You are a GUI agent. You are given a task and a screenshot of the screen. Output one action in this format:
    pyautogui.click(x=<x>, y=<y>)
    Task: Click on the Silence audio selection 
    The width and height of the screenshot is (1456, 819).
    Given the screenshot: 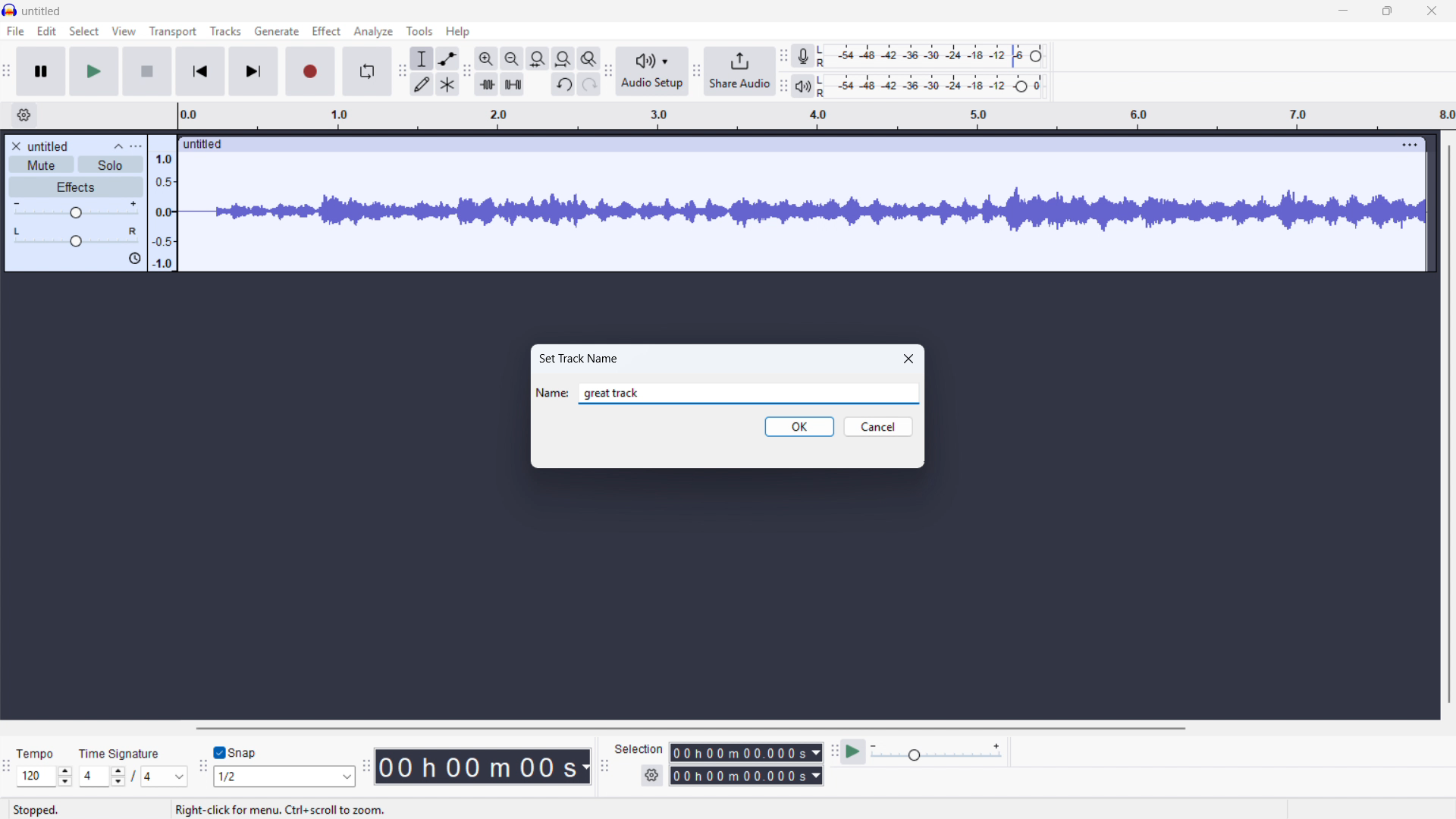 What is the action you would take?
    pyautogui.click(x=513, y=85)
    